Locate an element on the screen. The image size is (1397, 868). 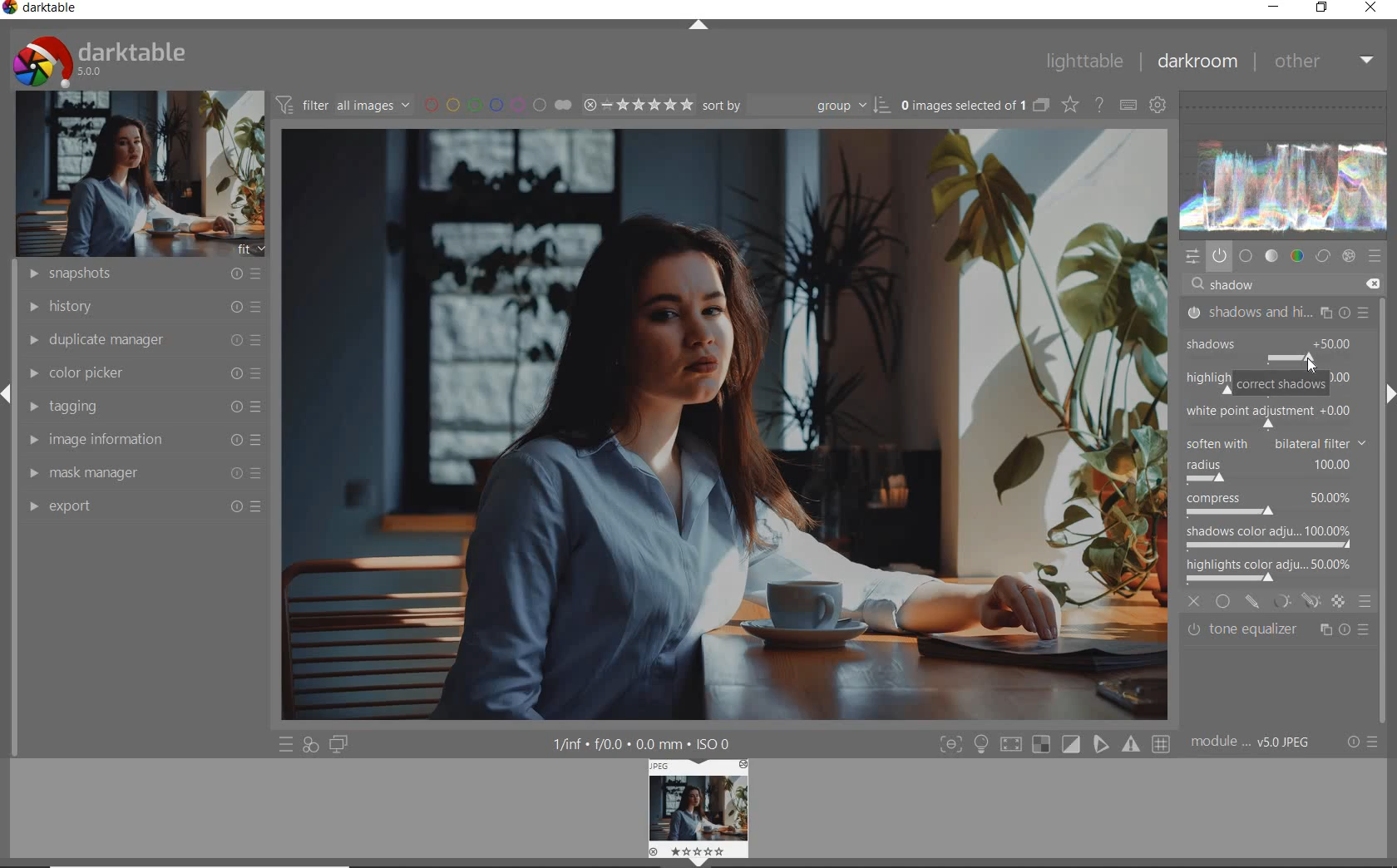
duplicate manager is located at coordinates (141, 340).